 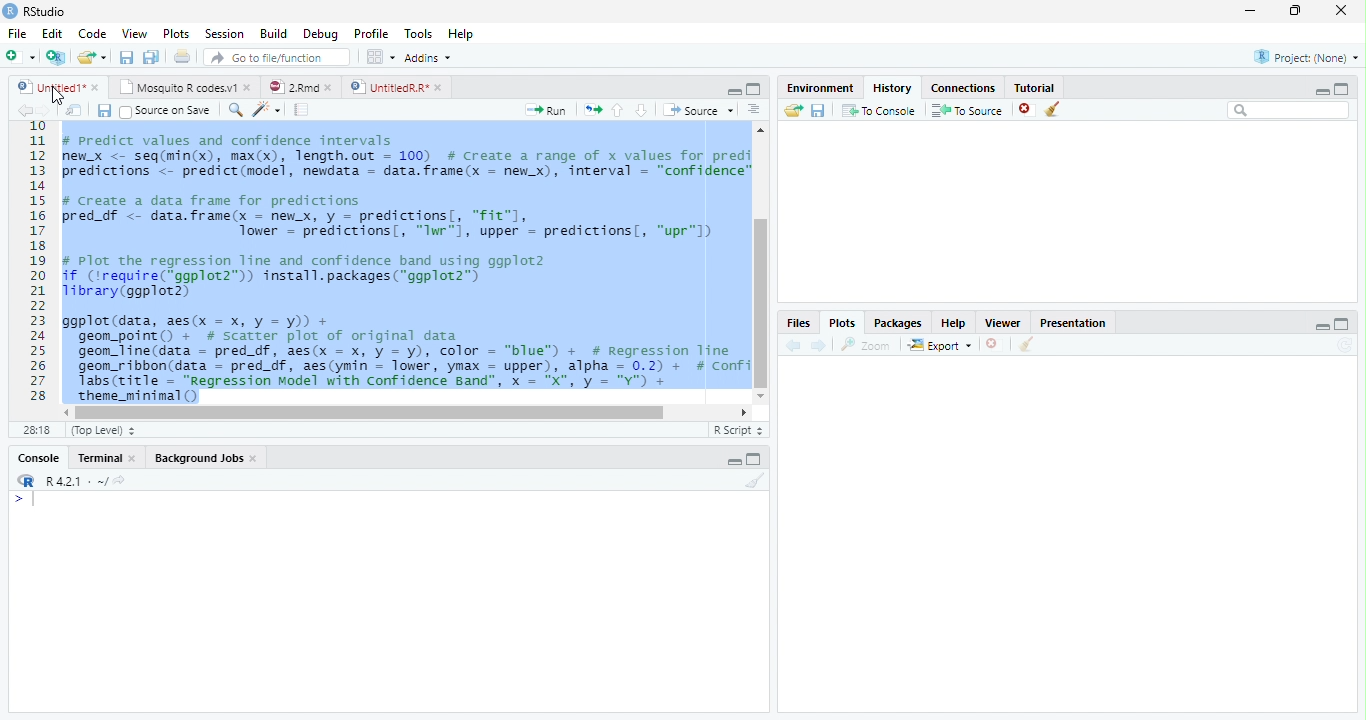 What do you see at coordinates (1072, 323) in the screenshot?
I see `Presentation` at bounding box center [1072, 323].